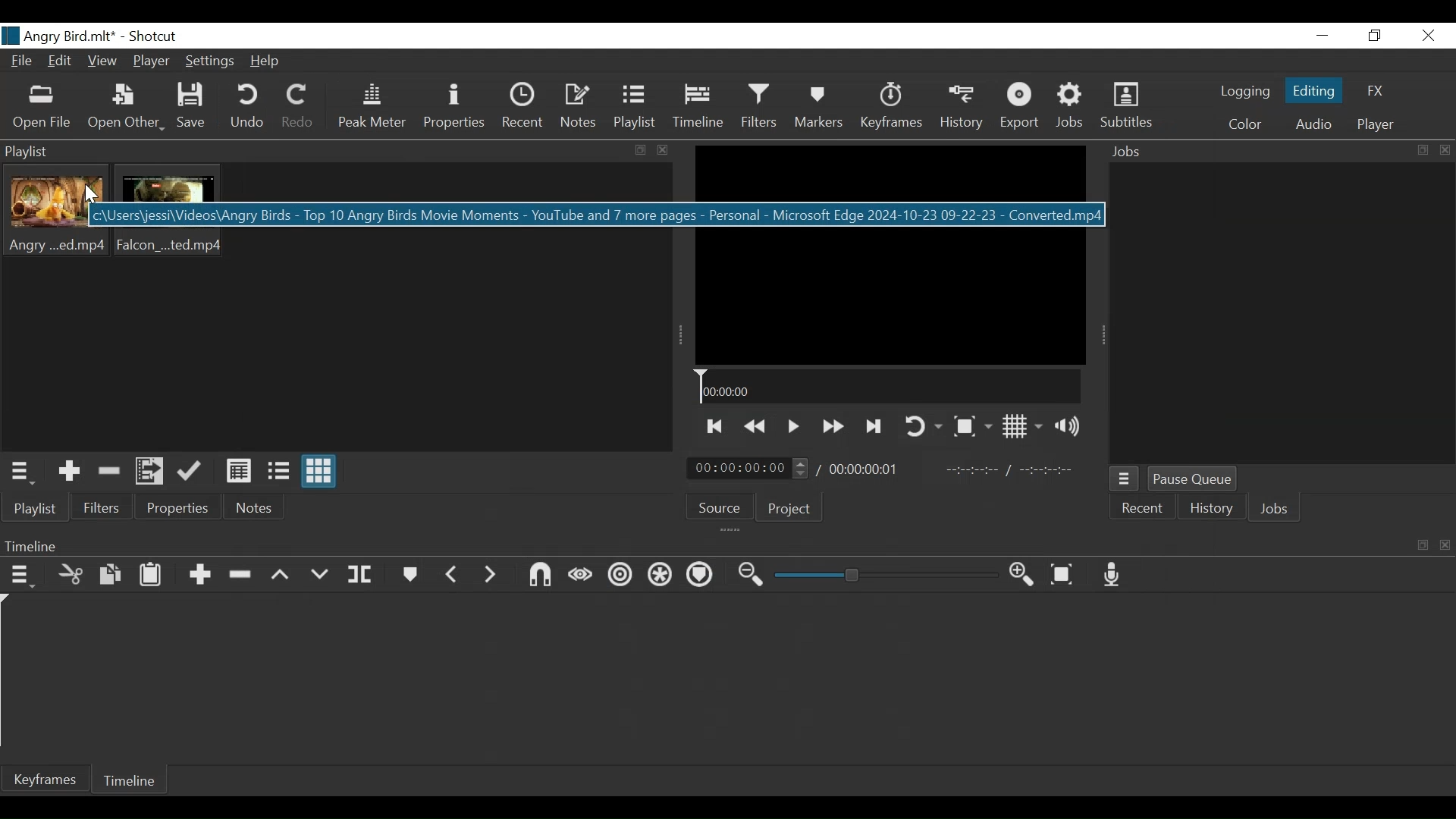 This screenshot has height=819, width=1456. I want to click on Total Duration, so click(870, 471).